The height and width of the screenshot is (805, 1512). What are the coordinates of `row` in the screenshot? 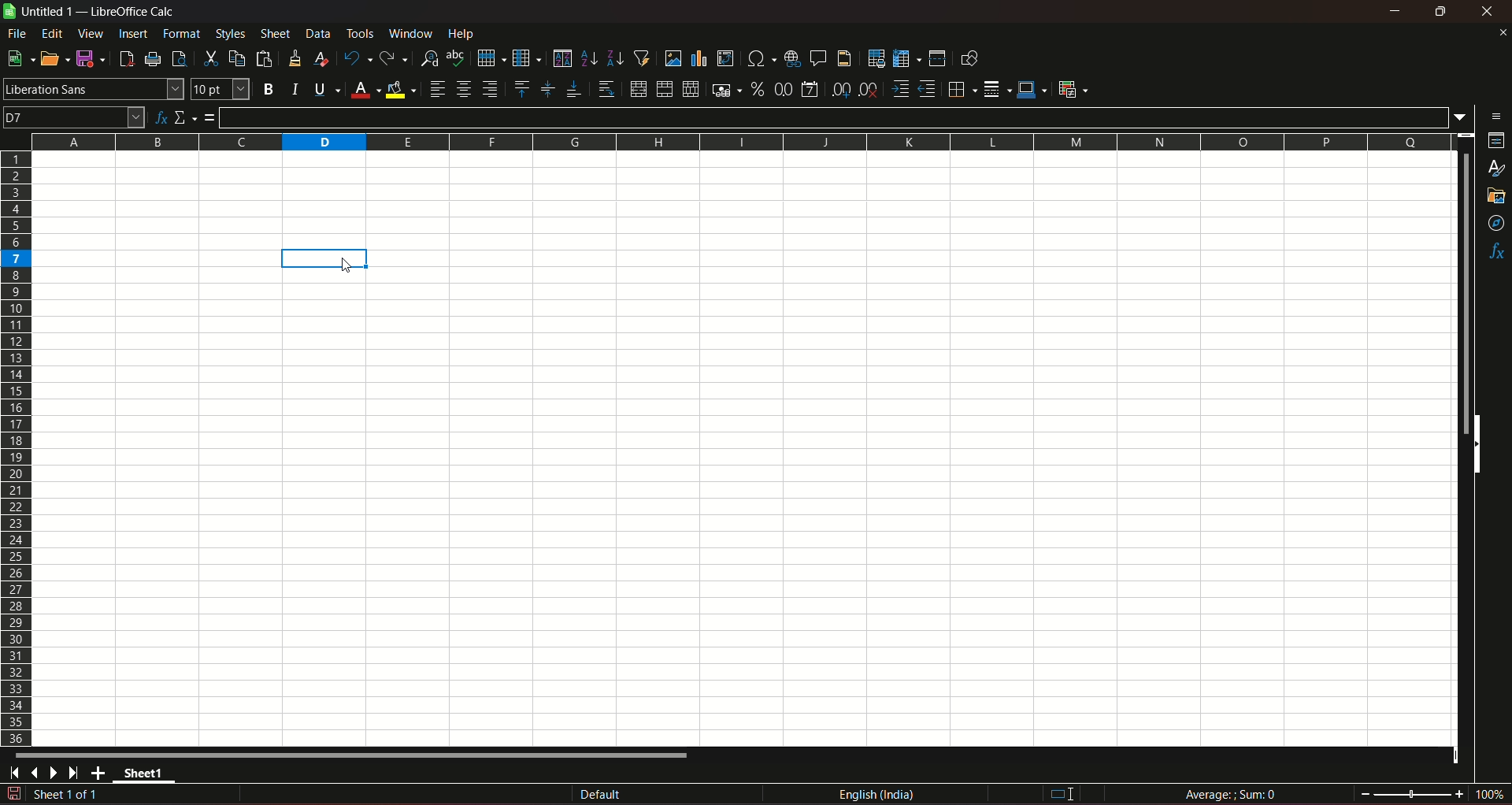 It's located at (487, 57).